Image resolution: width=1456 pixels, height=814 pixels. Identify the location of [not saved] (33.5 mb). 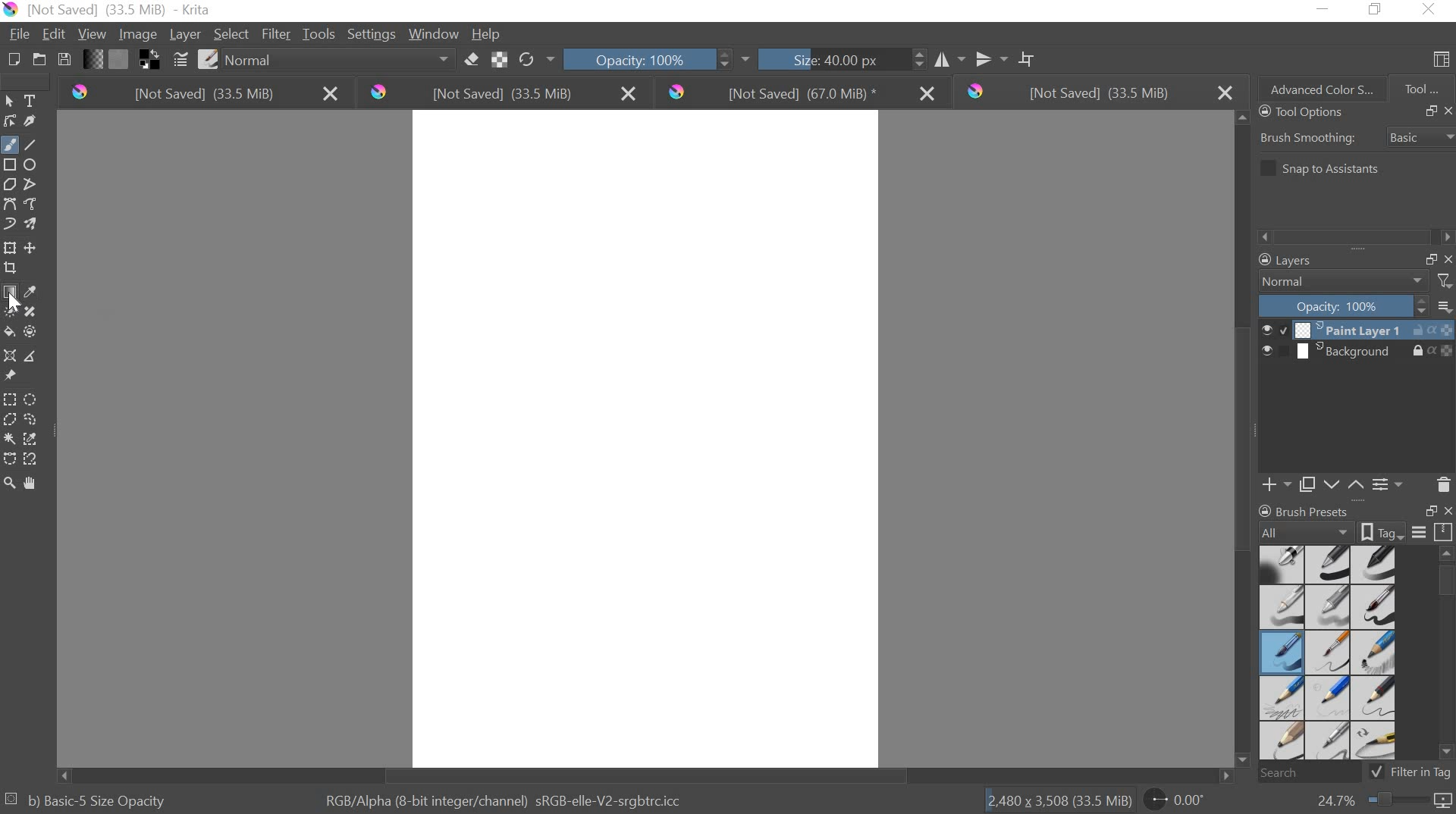
(199, 95).